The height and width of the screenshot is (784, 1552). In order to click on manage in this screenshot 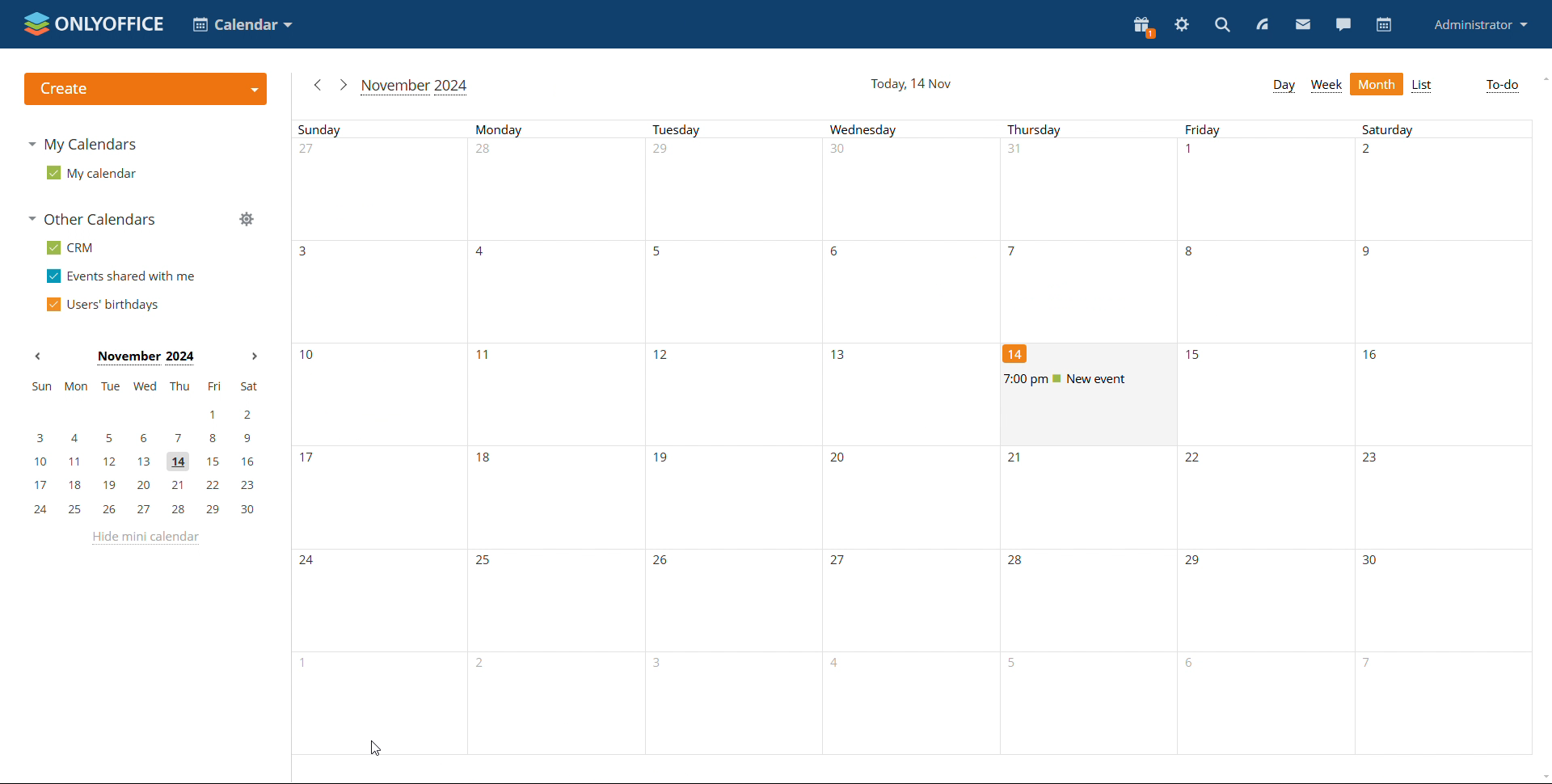, I will do `click(246, 218)`.